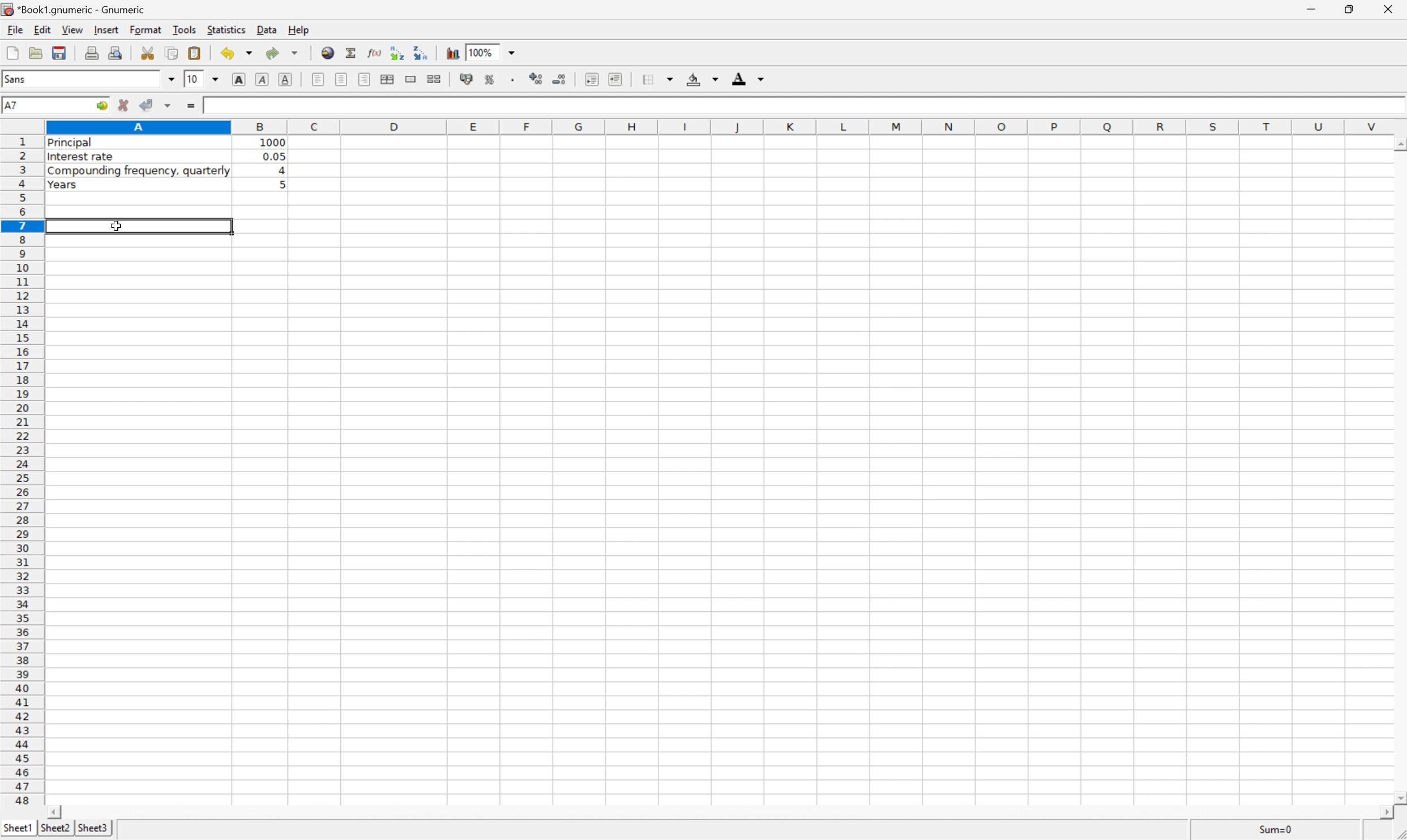  What do you see at coordinates (172, 52) in the screenshot?
I see `copy` at bounding box center [172, 52].